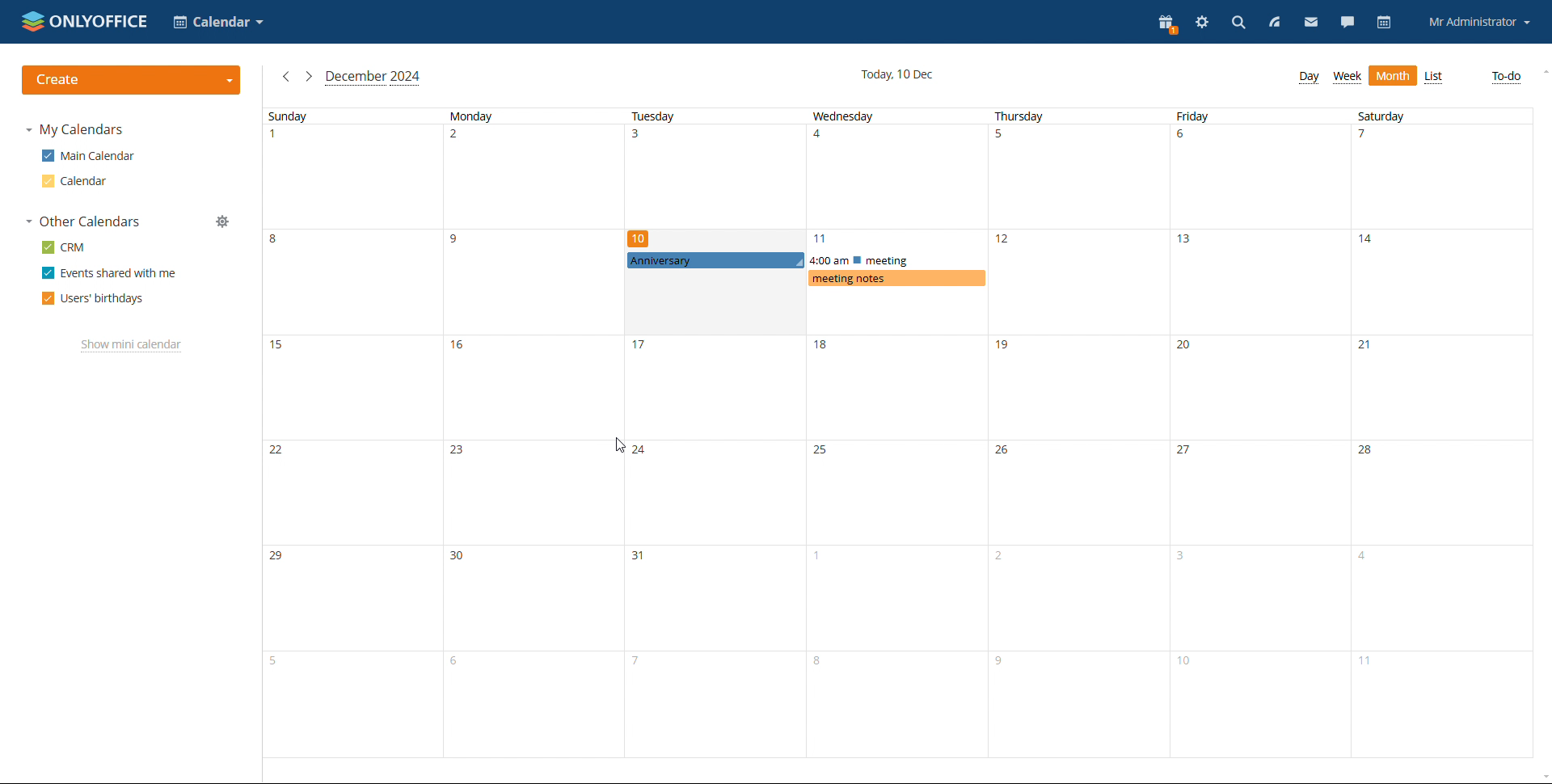 The width and height of the screenshot is (1552, 784). I want to click on friday, so click(1259, 434).